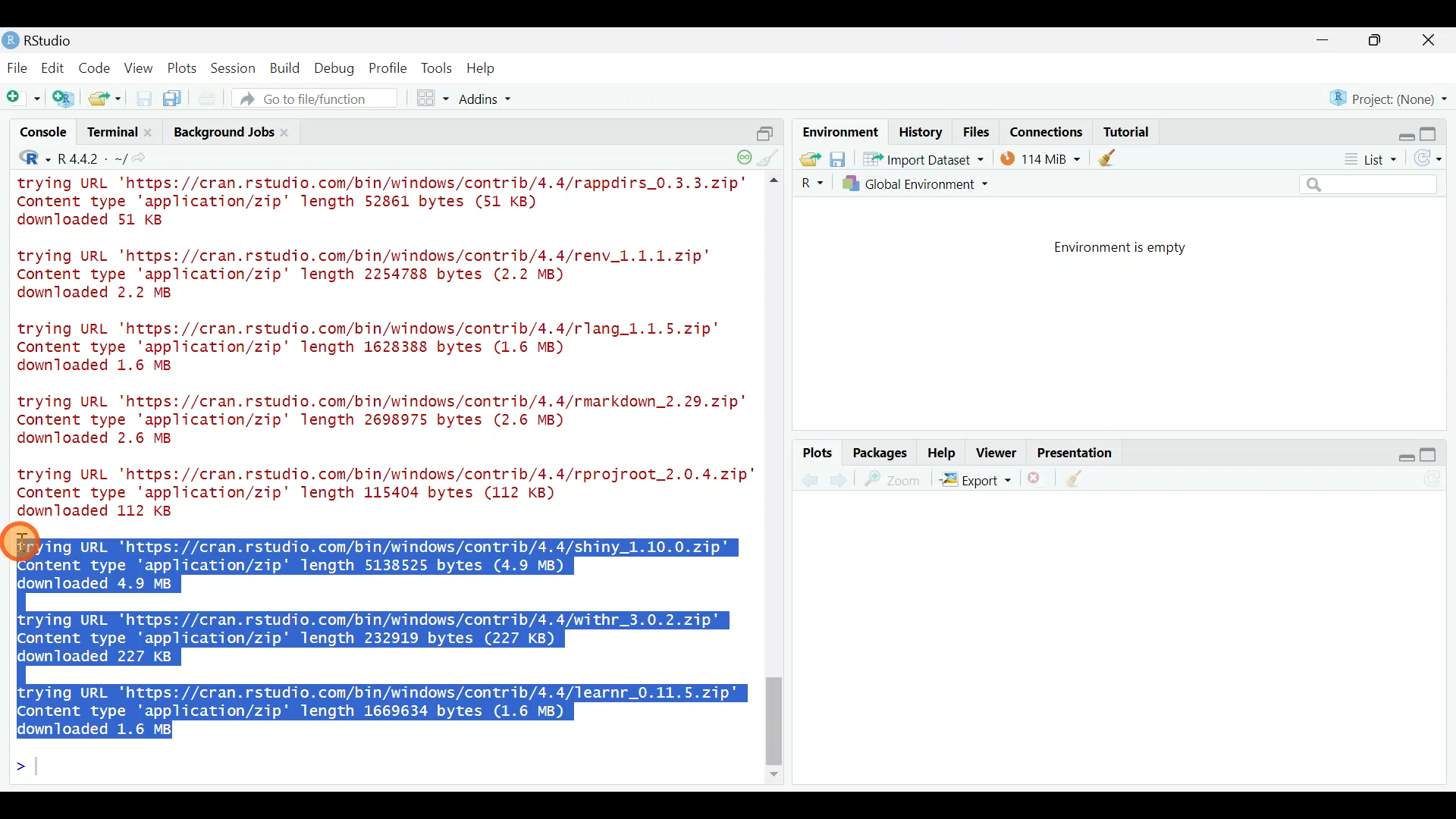  I want to click on Save current document, so click(144, 99).